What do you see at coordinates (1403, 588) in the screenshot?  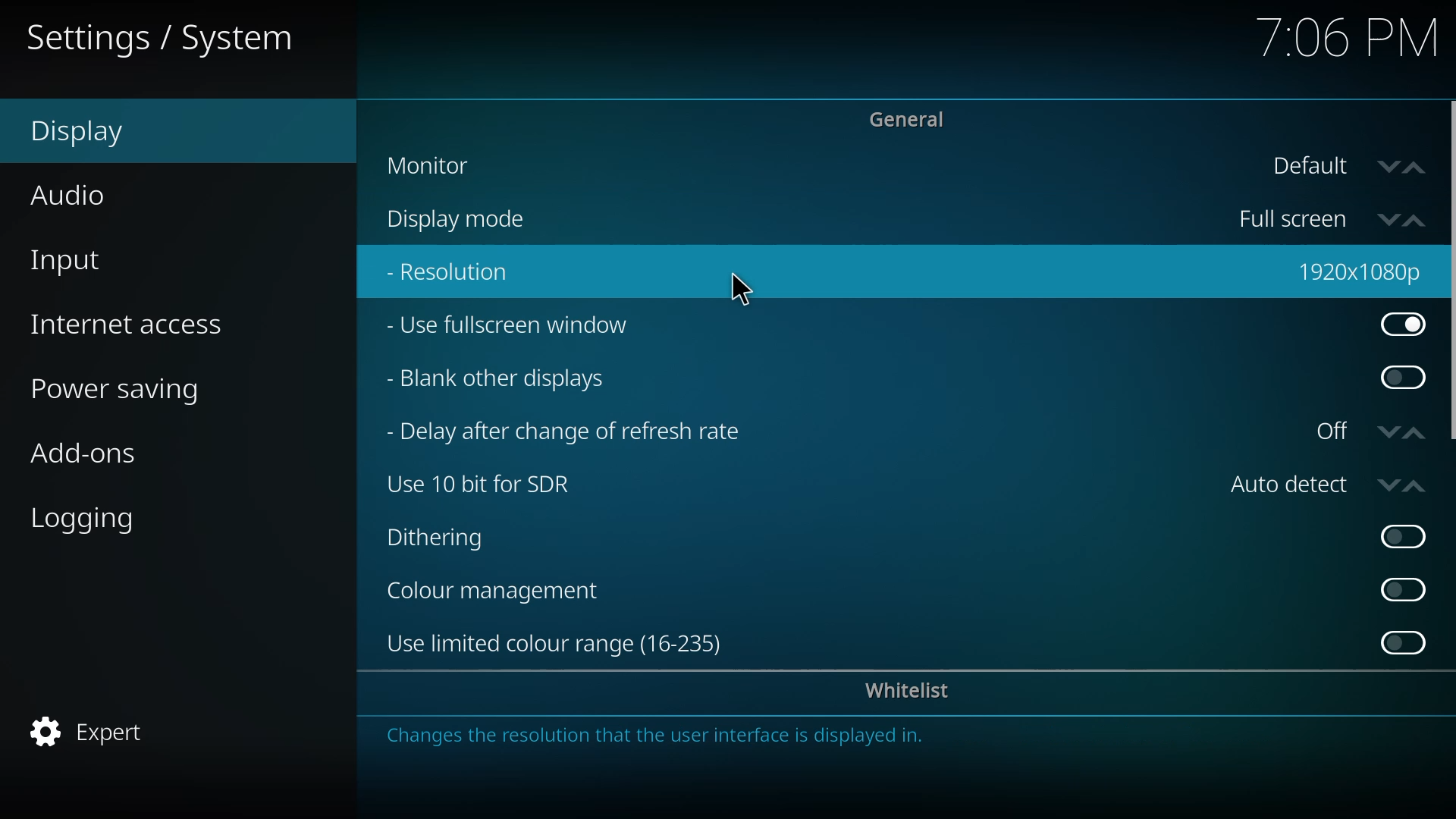 I see `enable` at bounding box center [1403, 588].